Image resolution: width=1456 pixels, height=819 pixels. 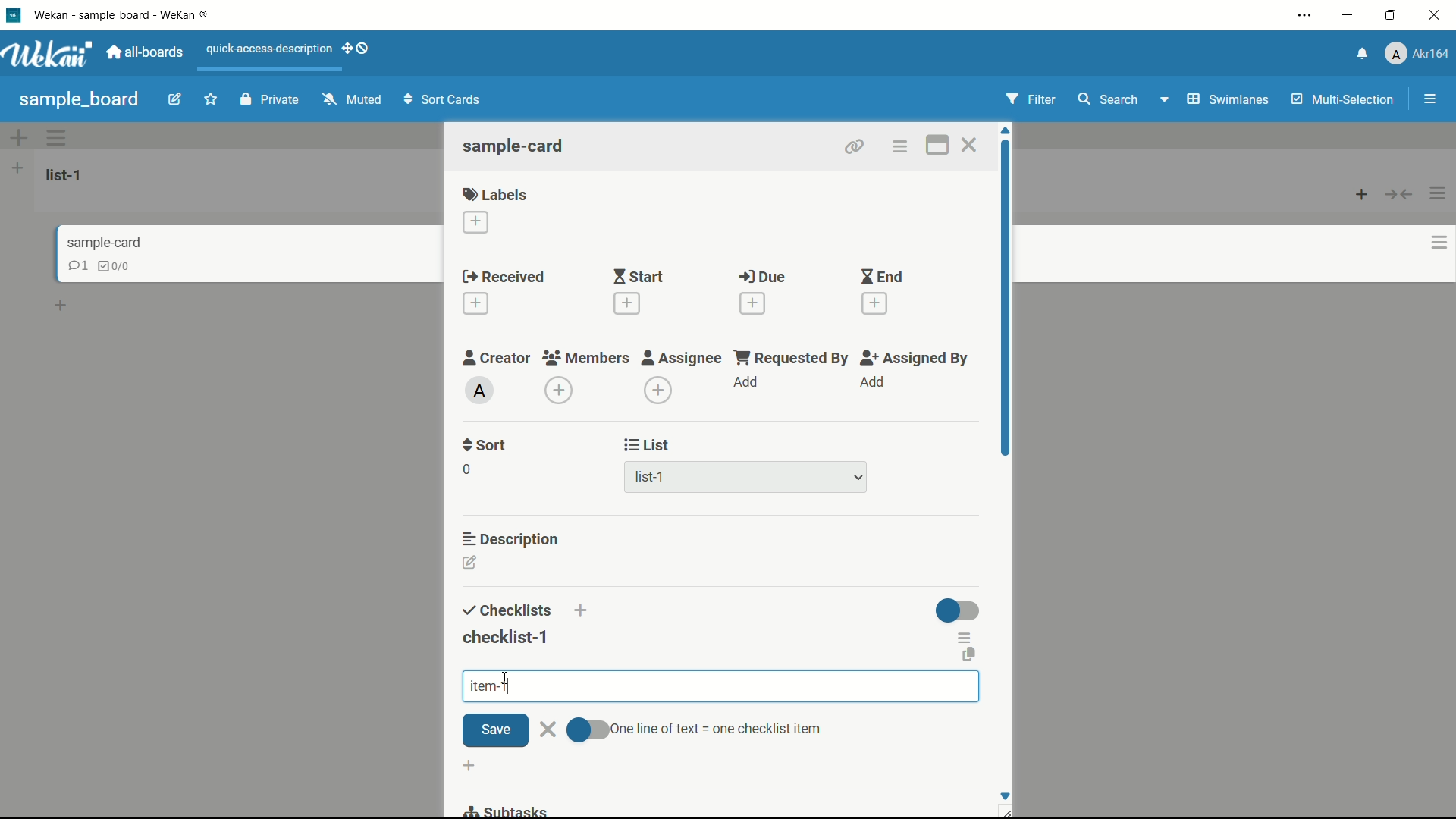 What do you see at coordinates (855, 148) in the screenshot?
I see `copy card link to clipboard` at bounding box center [855, 148].